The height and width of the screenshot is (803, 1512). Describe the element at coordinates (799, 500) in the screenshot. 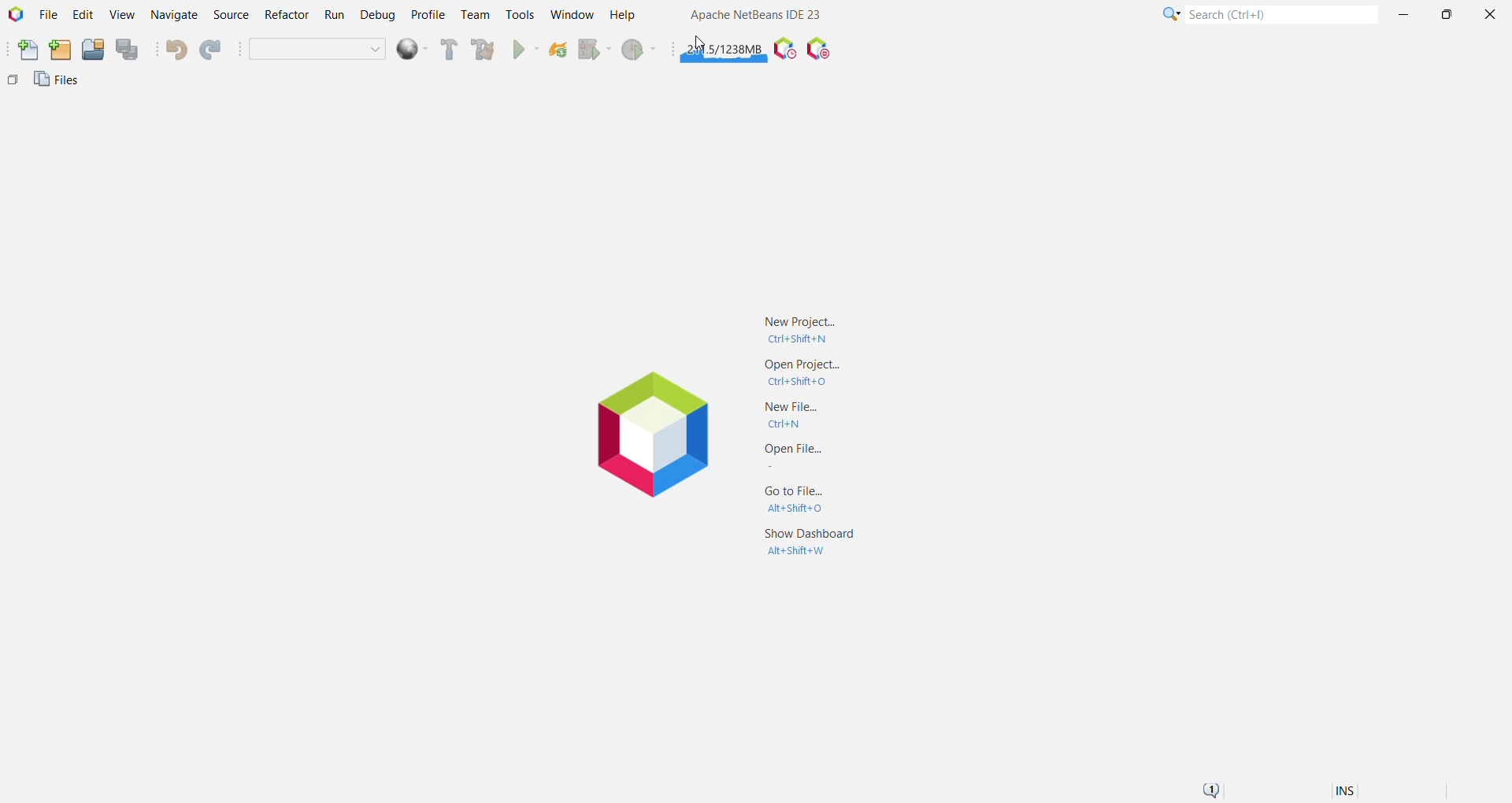

I see `Go to File` at that location.